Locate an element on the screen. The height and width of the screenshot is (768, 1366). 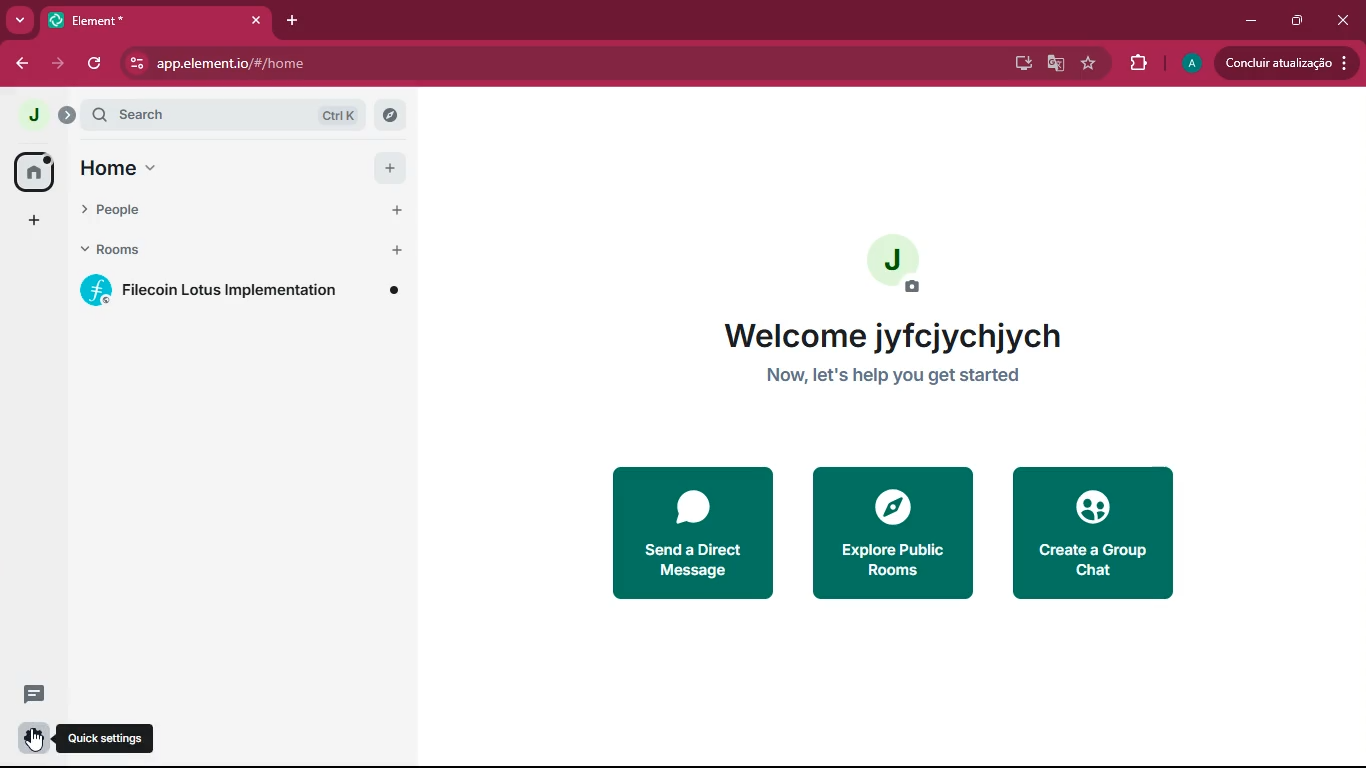
more is located at coordinates (18, 20).